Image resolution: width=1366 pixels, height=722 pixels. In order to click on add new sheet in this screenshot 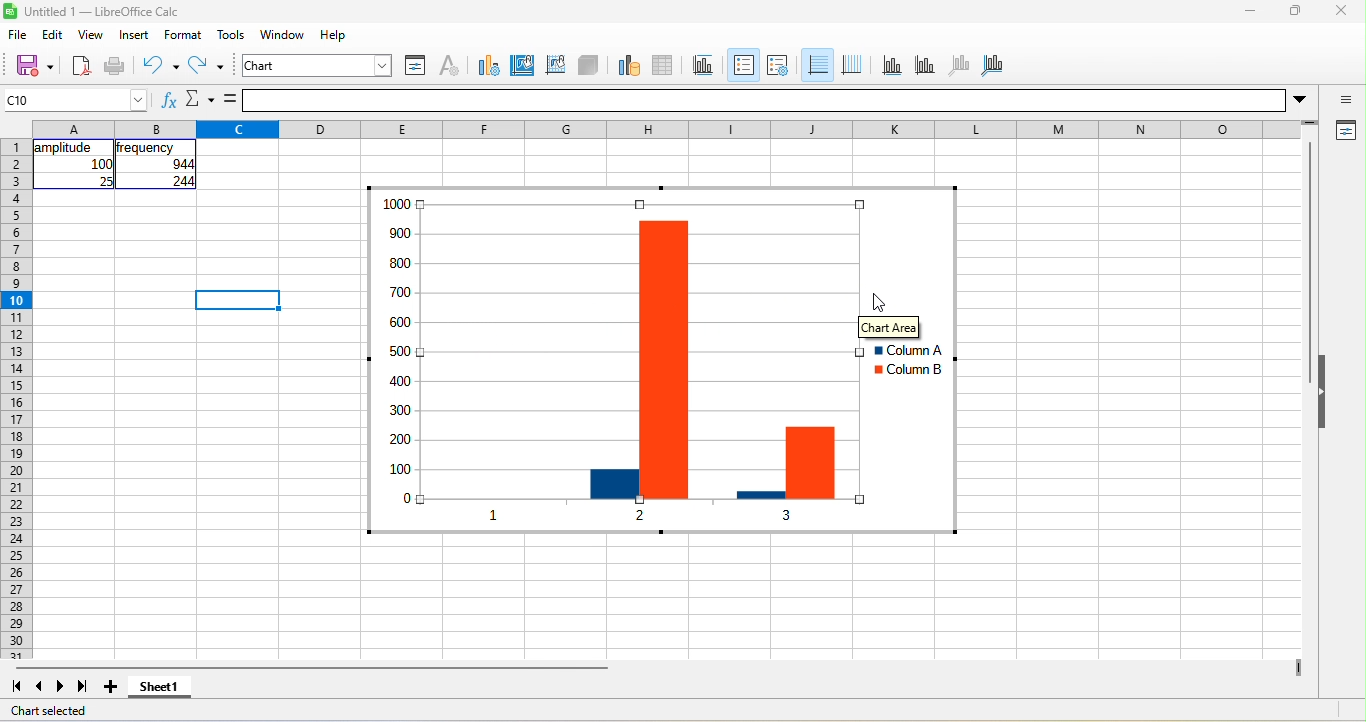, I will do `click(111, 687)`.